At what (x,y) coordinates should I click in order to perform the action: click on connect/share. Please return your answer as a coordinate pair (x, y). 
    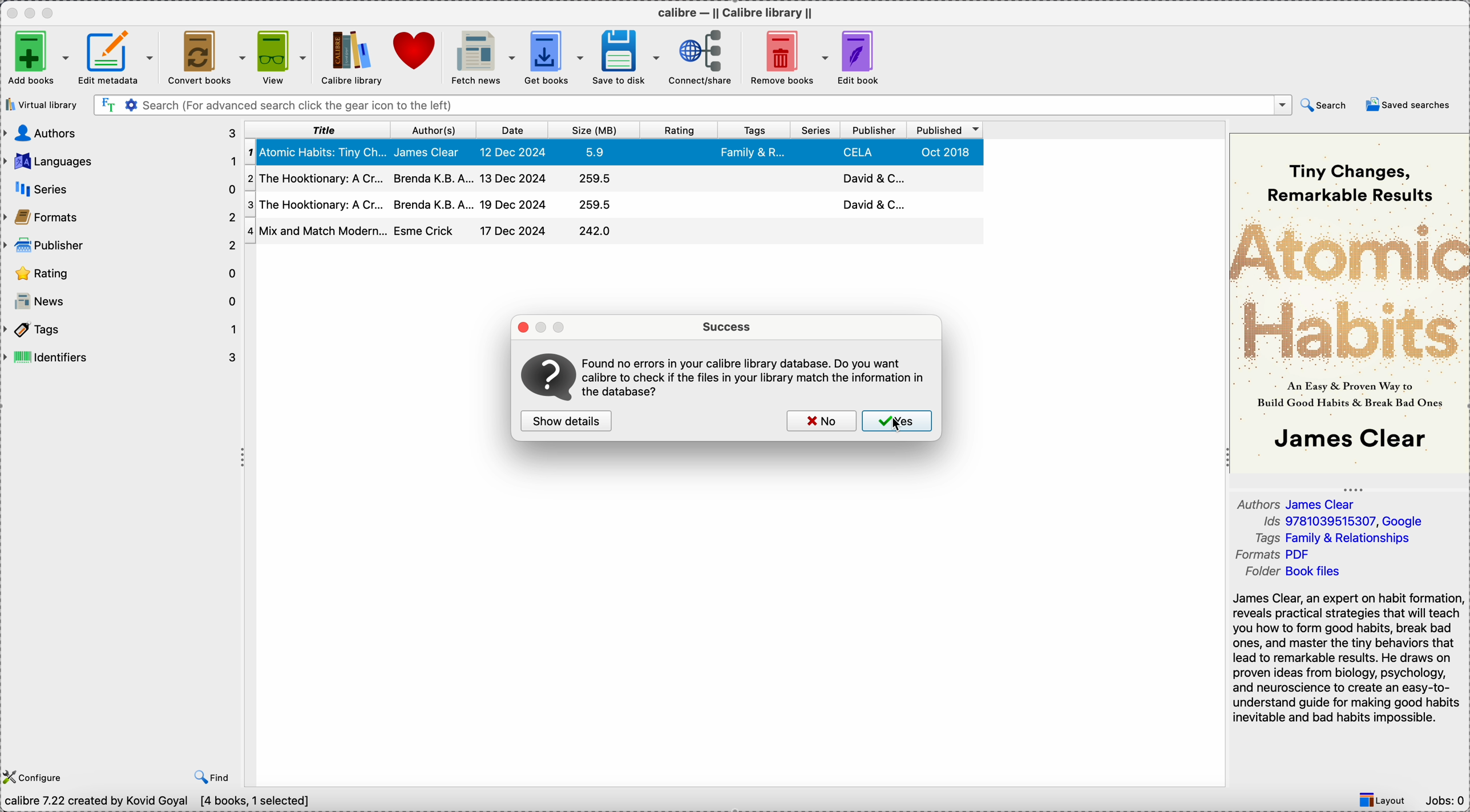
    Looking at the image, I should click on (701, 58).